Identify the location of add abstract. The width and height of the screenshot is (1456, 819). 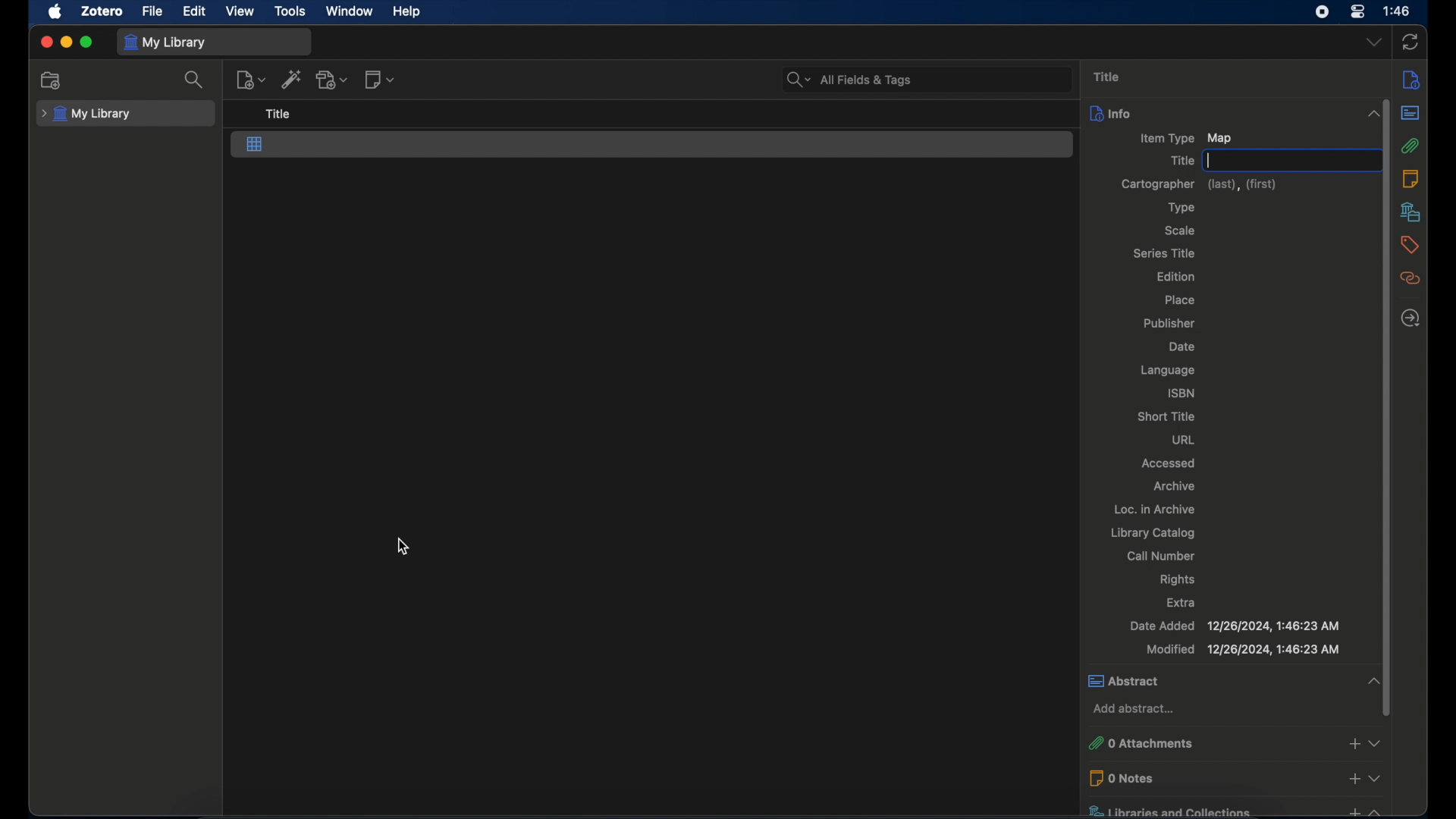
(1137, 710).